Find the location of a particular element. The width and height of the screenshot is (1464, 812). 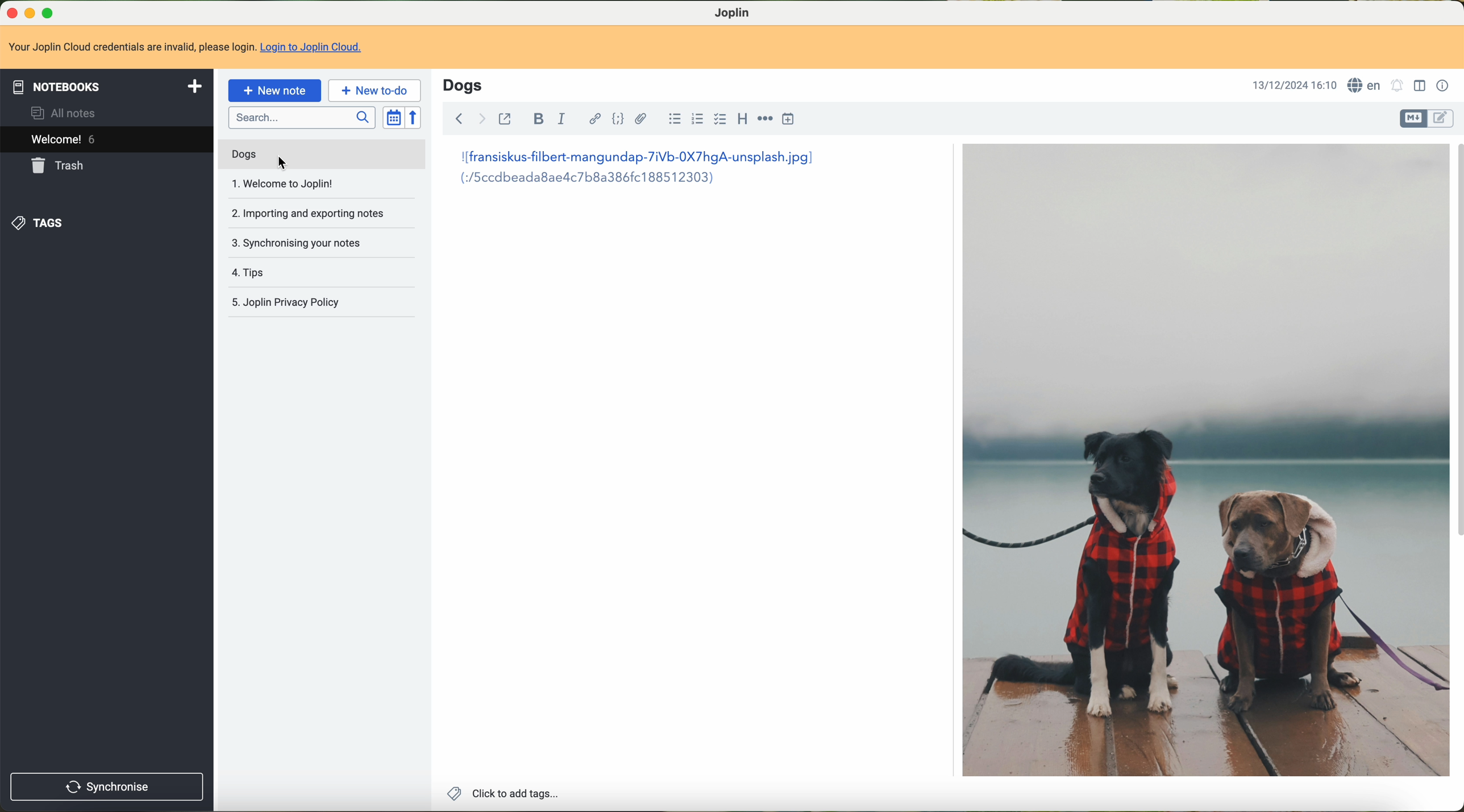

cursor is located at coordinates (283, 163).